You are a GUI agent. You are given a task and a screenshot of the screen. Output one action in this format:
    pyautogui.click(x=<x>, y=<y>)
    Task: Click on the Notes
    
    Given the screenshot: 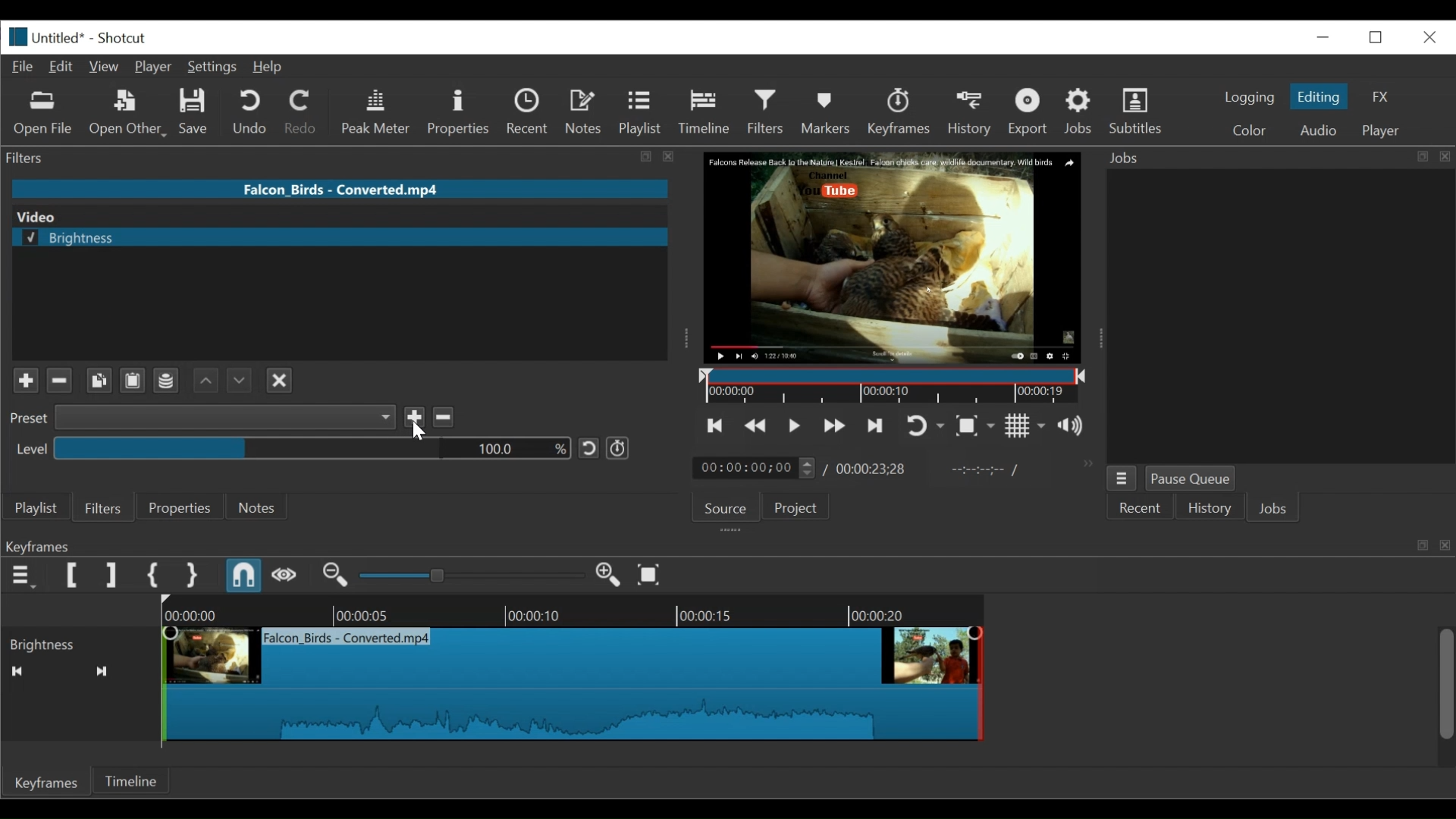 What is the action you would take?
    pyautogui.click(x=585, y=111)
    